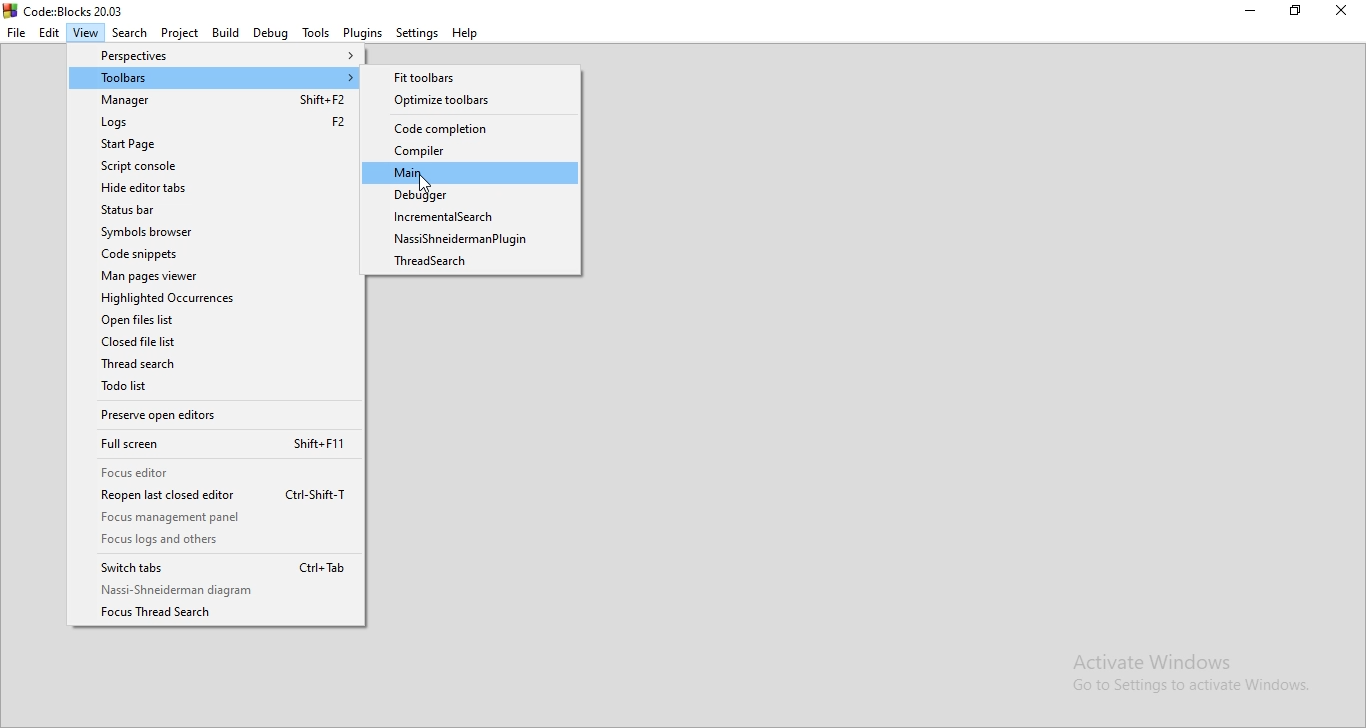 Image resolution: width=1366 pixels, height=728 pixels. Describe the element at coordinates (214, 255) in the screenshot. I see `Code snippets` at that location.